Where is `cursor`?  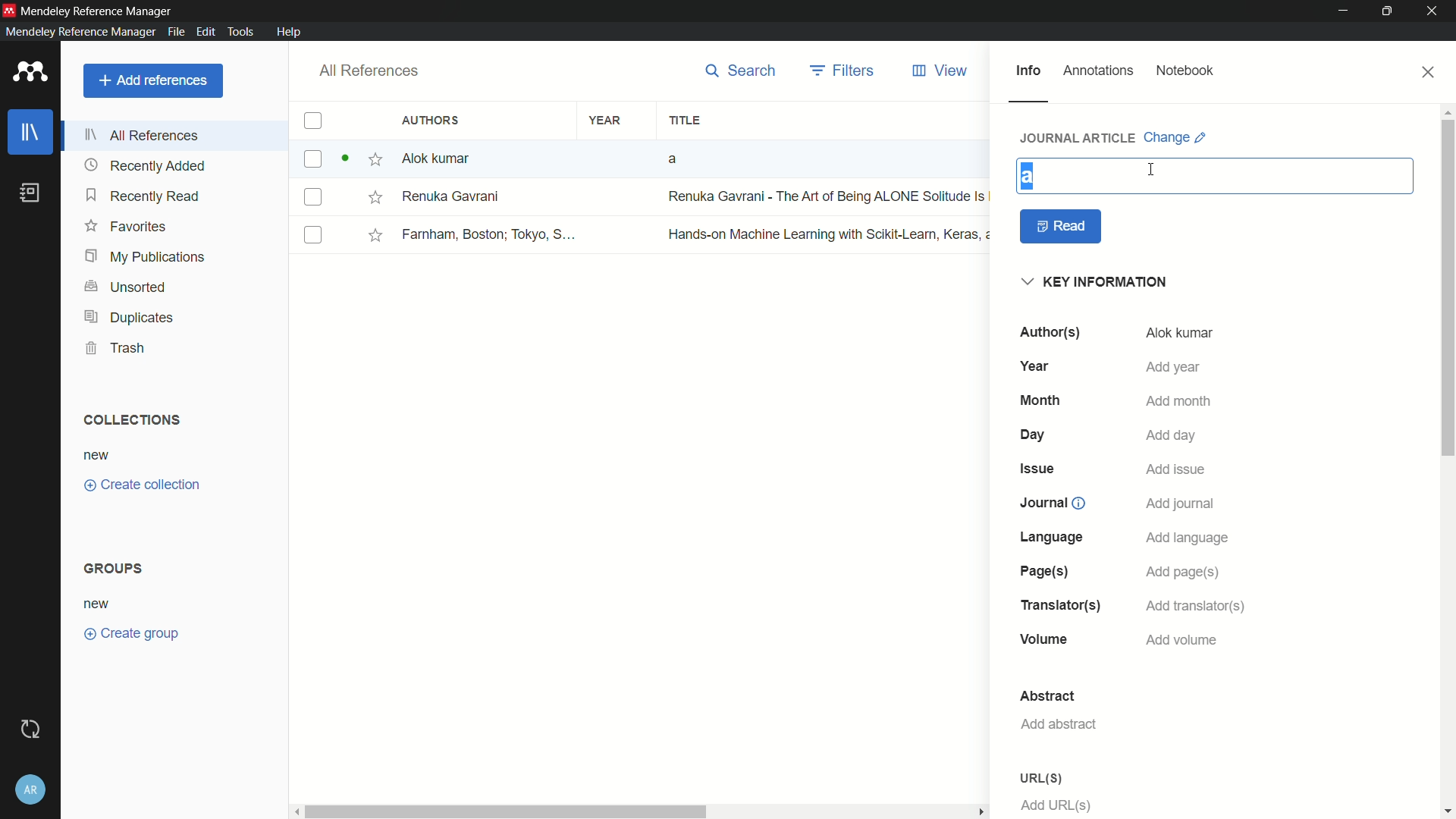 cursor is located at coordinates (1150, 168).